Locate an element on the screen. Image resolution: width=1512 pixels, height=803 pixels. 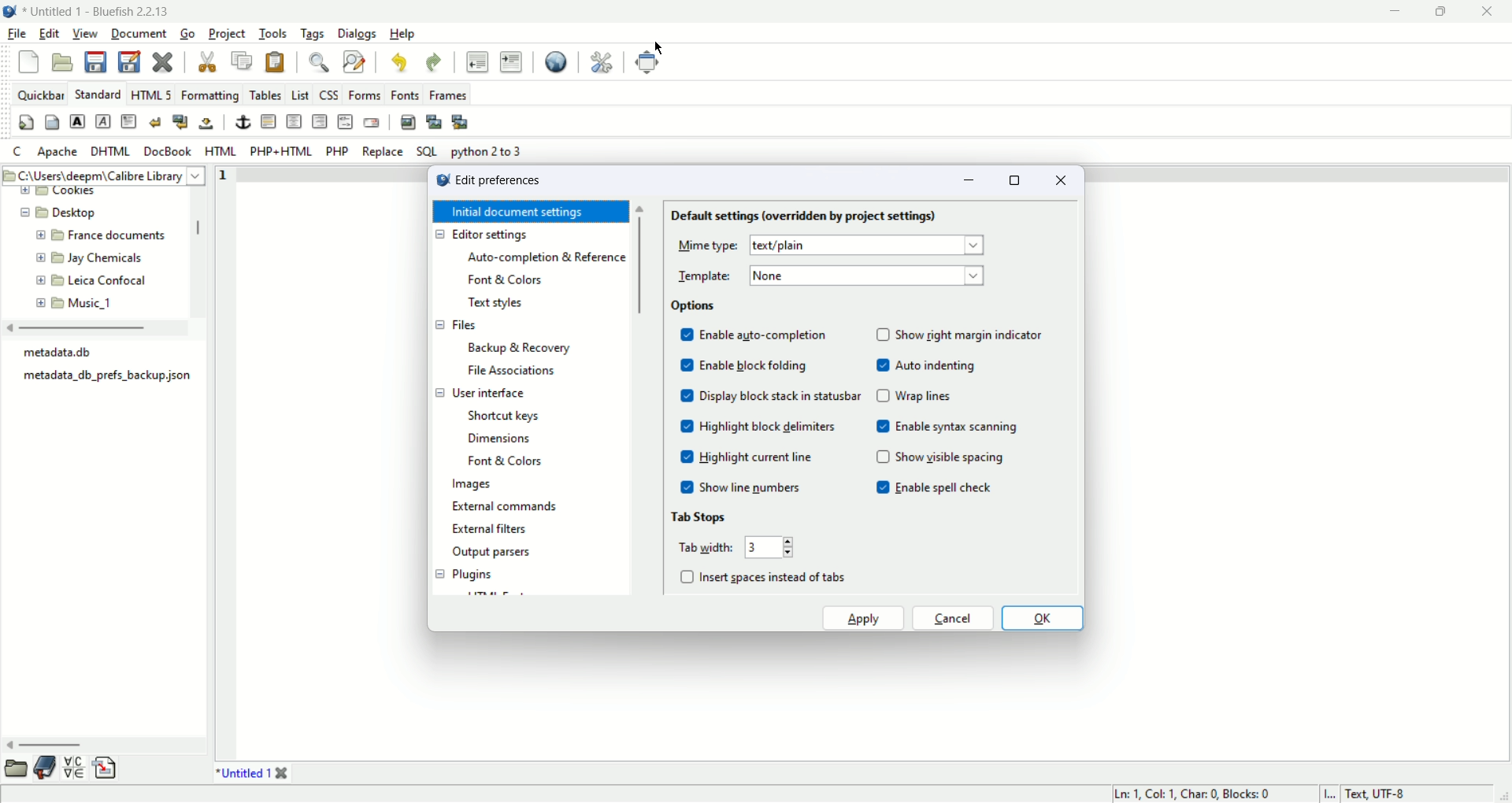
maximize is located at coordinates (1444, 13).